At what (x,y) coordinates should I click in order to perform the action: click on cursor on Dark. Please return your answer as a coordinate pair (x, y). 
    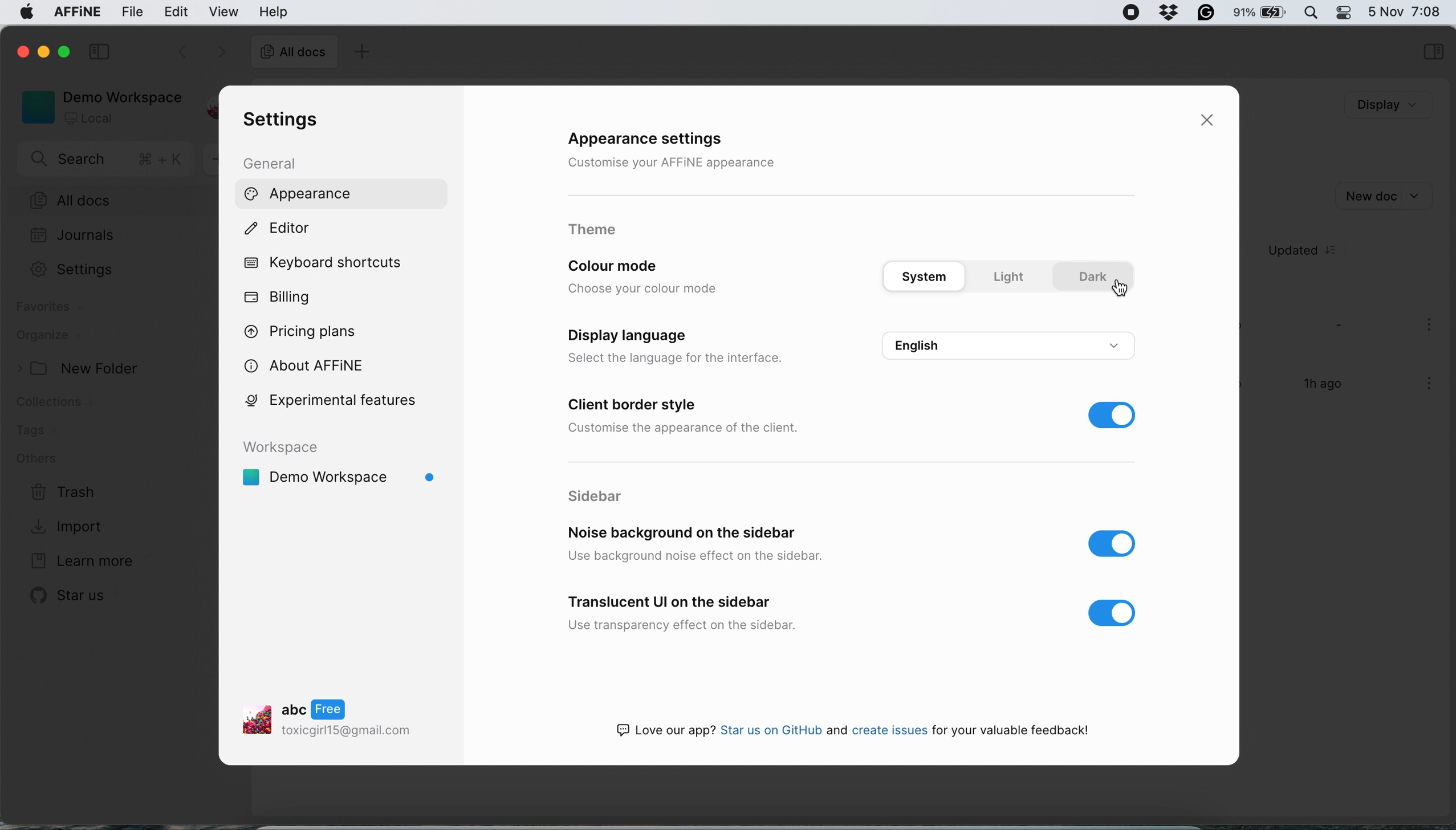
    Looking at the image, I should click on (1117, 287).